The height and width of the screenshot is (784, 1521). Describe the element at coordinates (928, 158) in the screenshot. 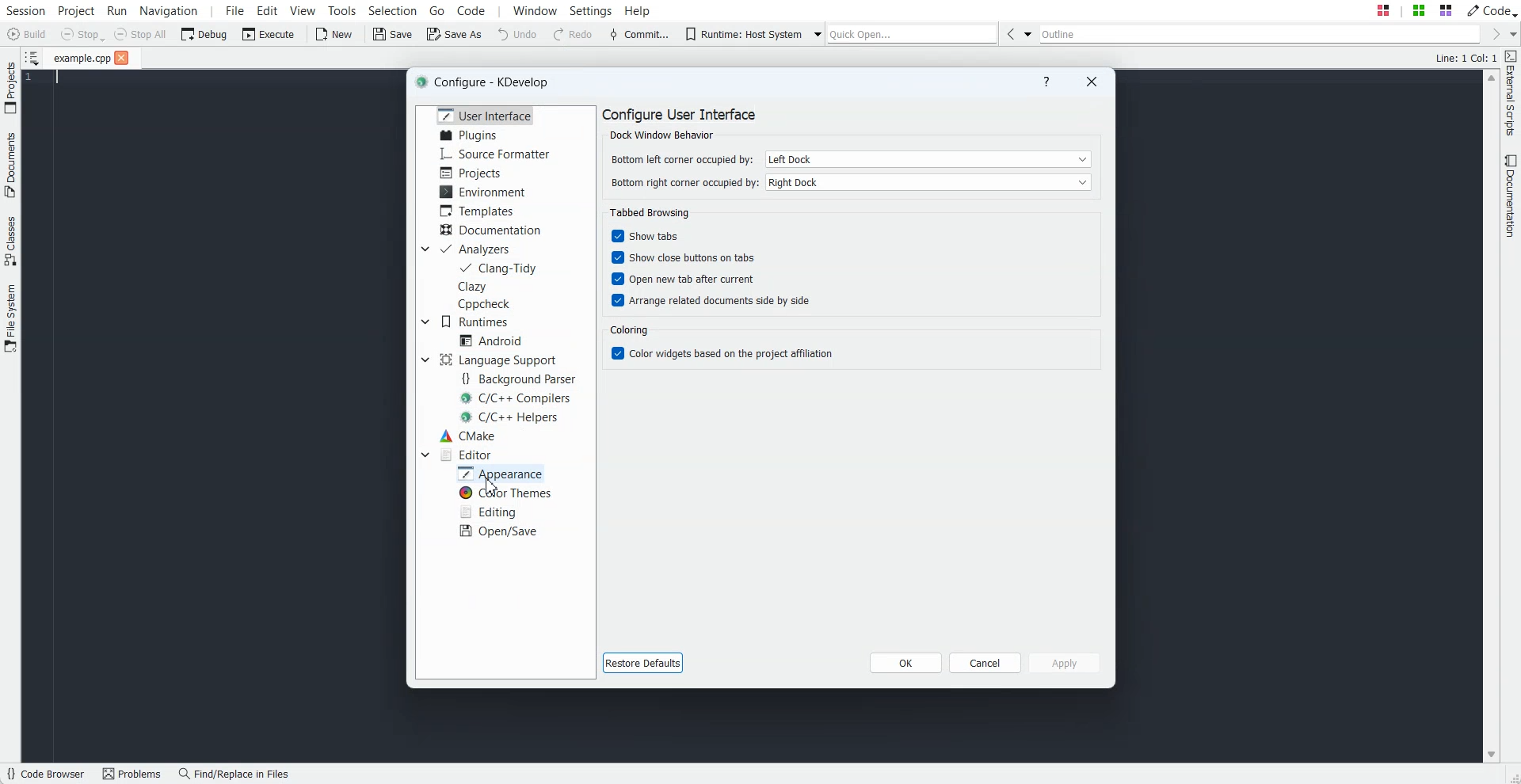

I see `Left Dock` at that location.